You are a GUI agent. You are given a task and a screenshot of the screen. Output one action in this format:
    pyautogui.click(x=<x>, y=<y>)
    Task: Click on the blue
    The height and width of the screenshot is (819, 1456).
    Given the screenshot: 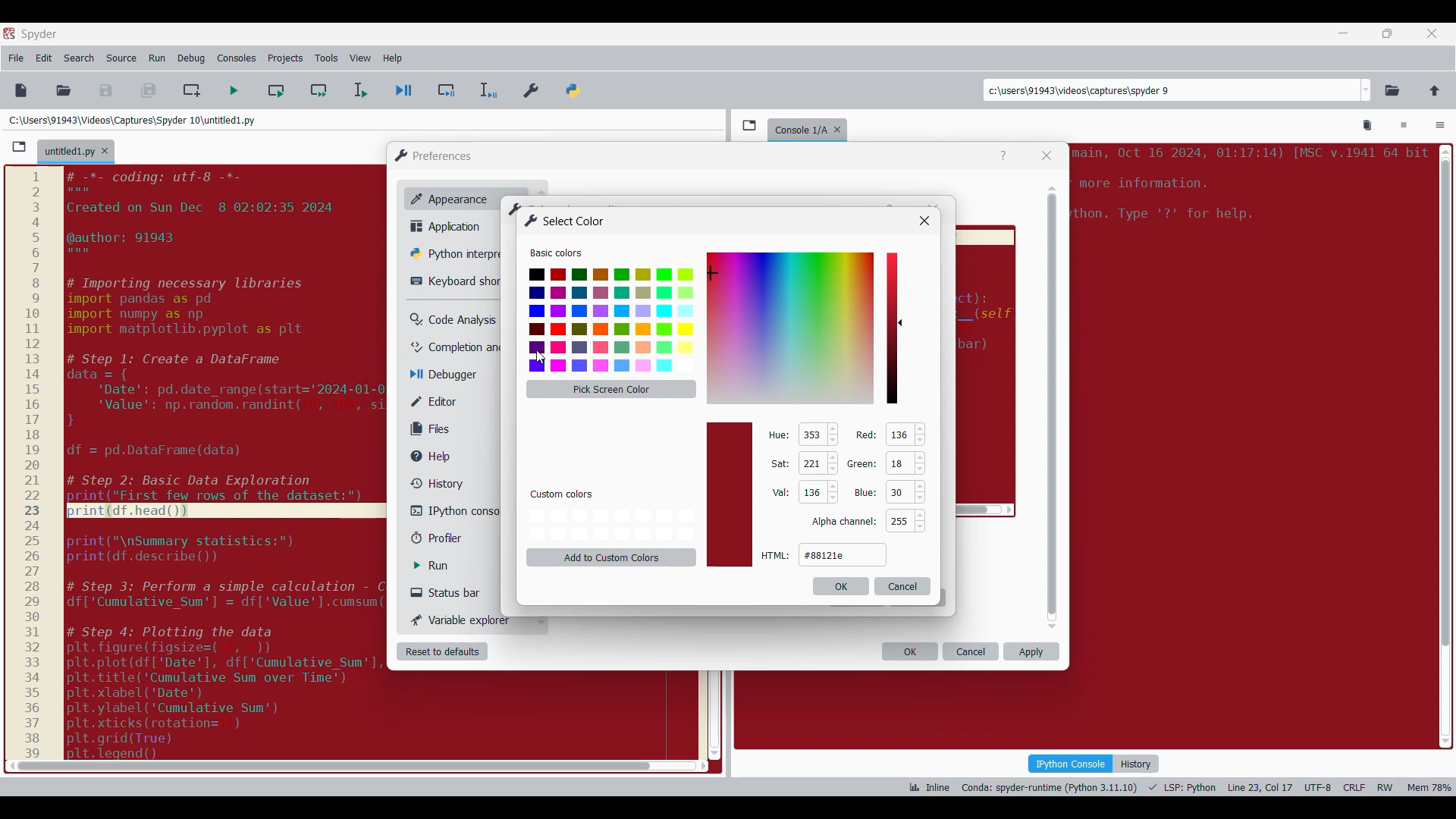 What is the action you would take?
    pyautogui.click(x=864, y=494)
    